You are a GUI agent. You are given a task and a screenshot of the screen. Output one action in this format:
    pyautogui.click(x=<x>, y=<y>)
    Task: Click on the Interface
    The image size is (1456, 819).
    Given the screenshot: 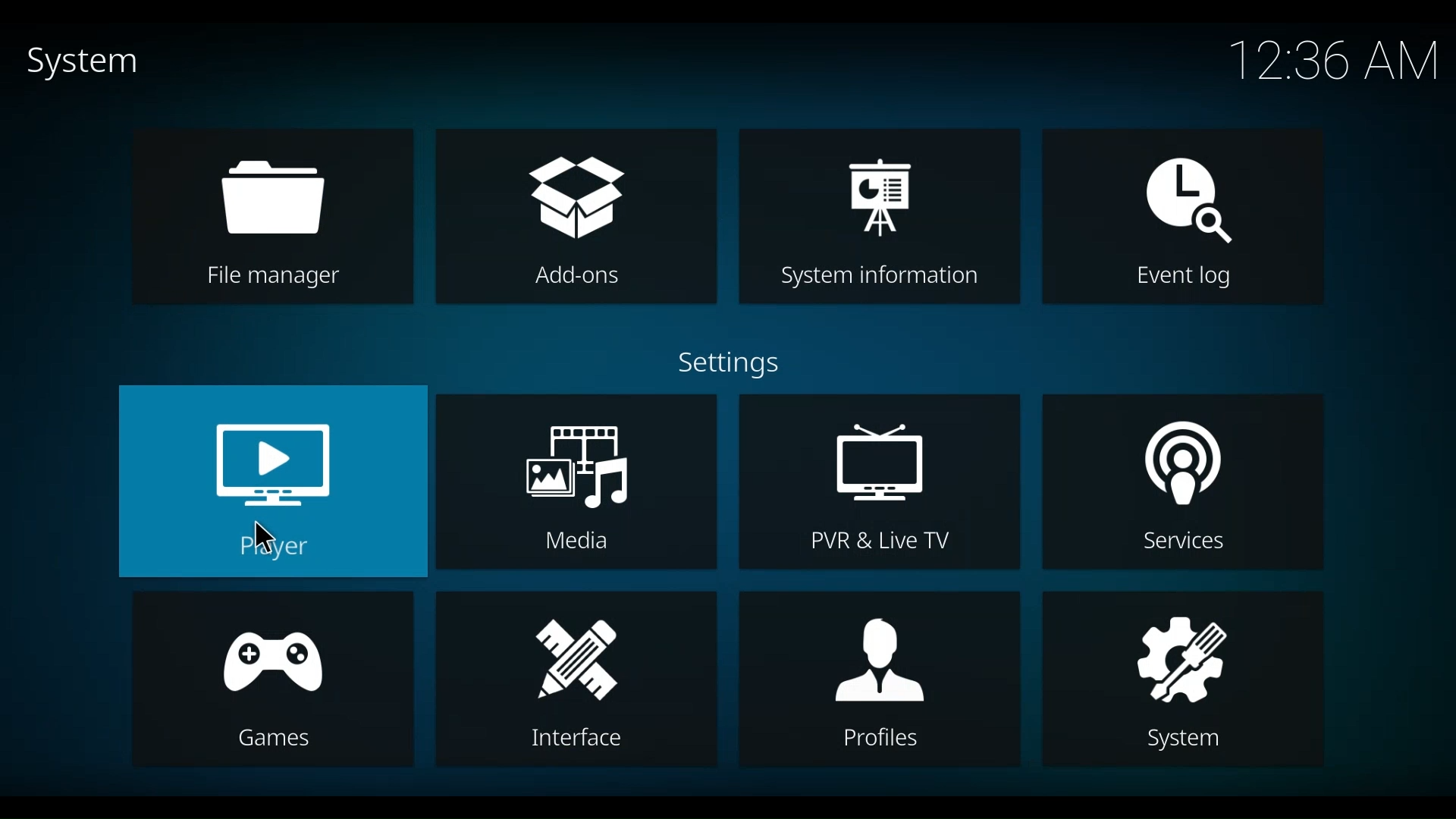 What is the action you would take?
    pyautogui.click(x=574, y=679)
    